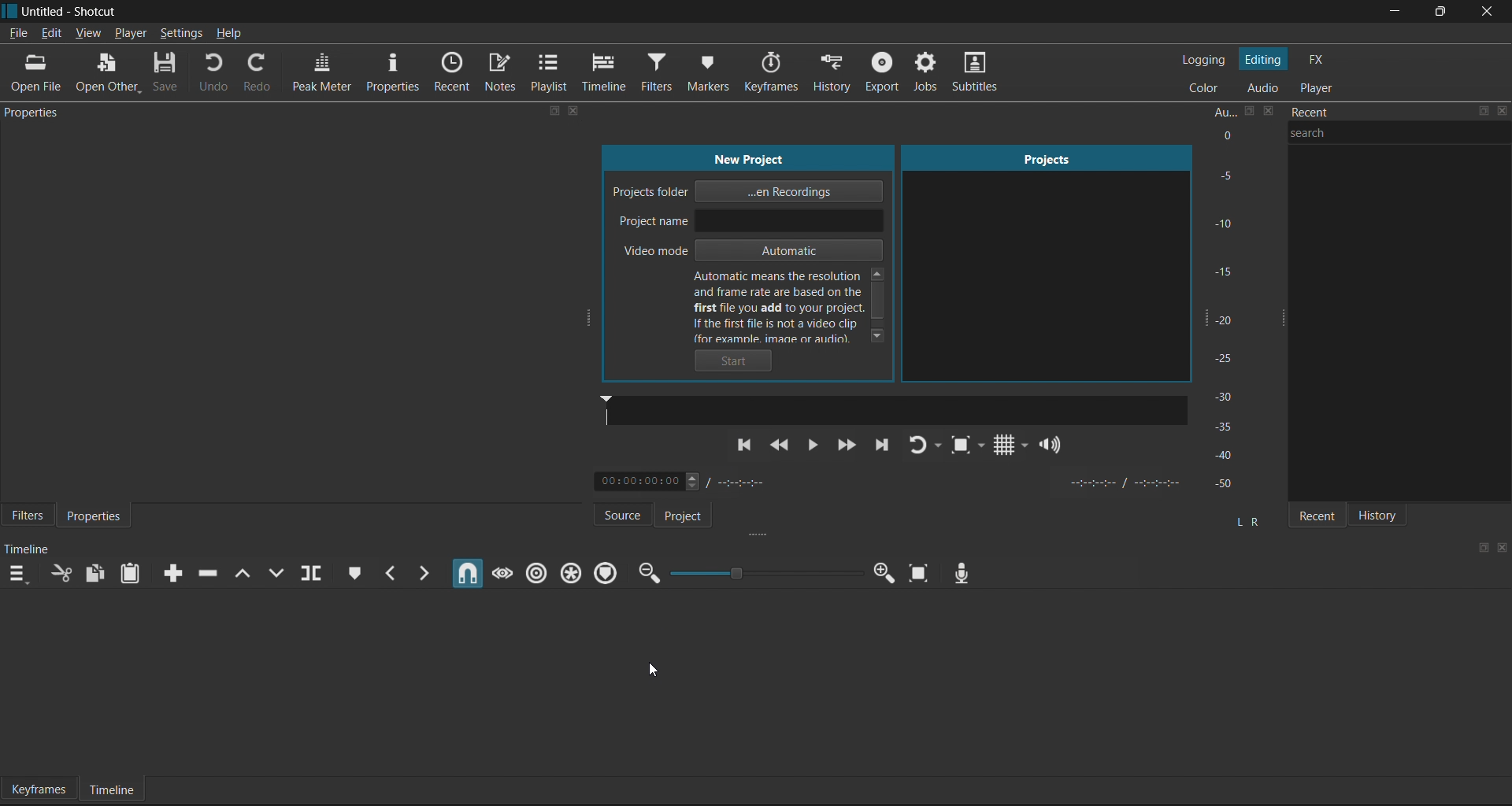 This screenshot has height=806, width=1512. I want to click on search, so click(1403, 142).